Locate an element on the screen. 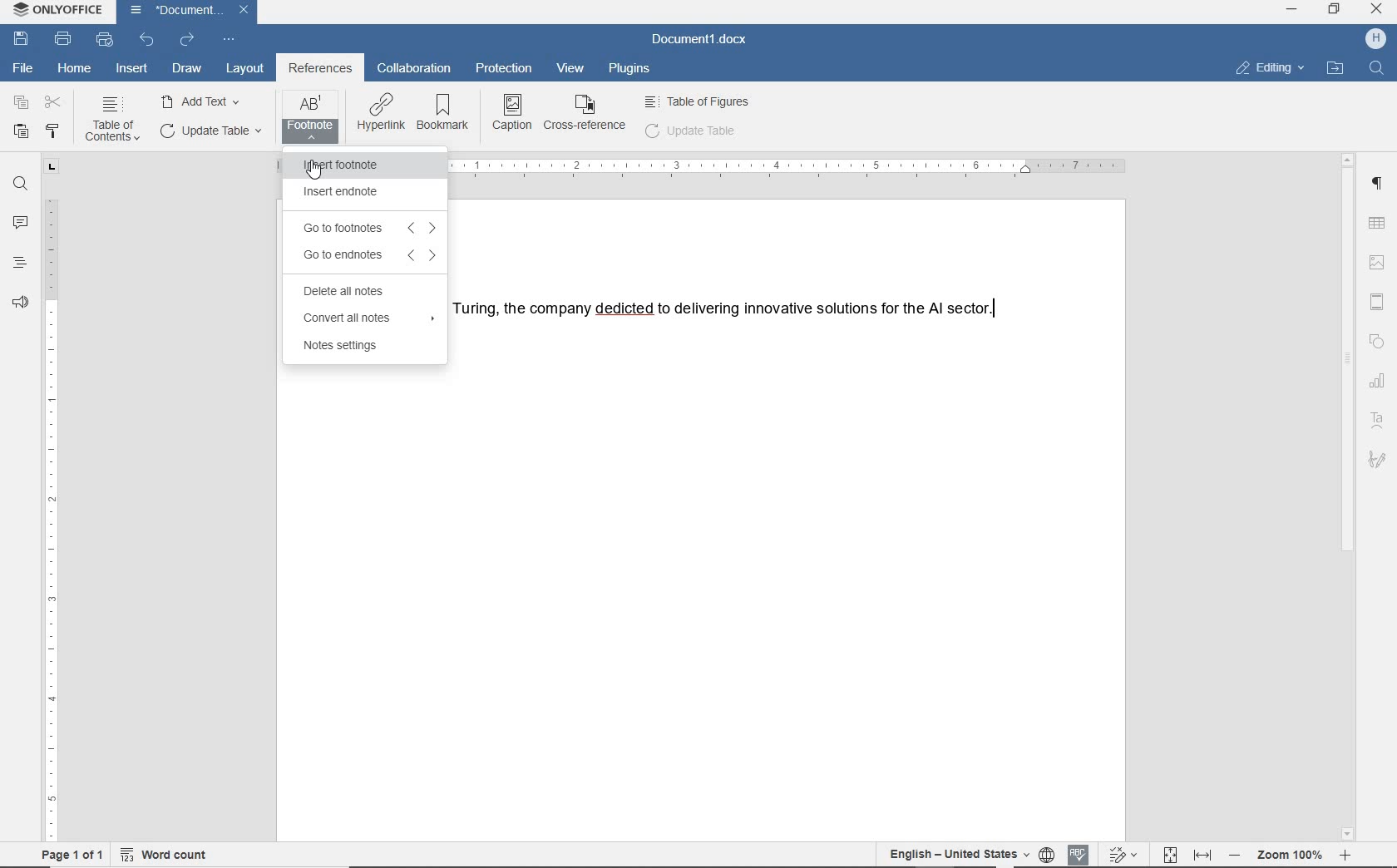 The width and height of the screenshot is (1397, 868). SHAPES is located at coordinates (1378, 341).